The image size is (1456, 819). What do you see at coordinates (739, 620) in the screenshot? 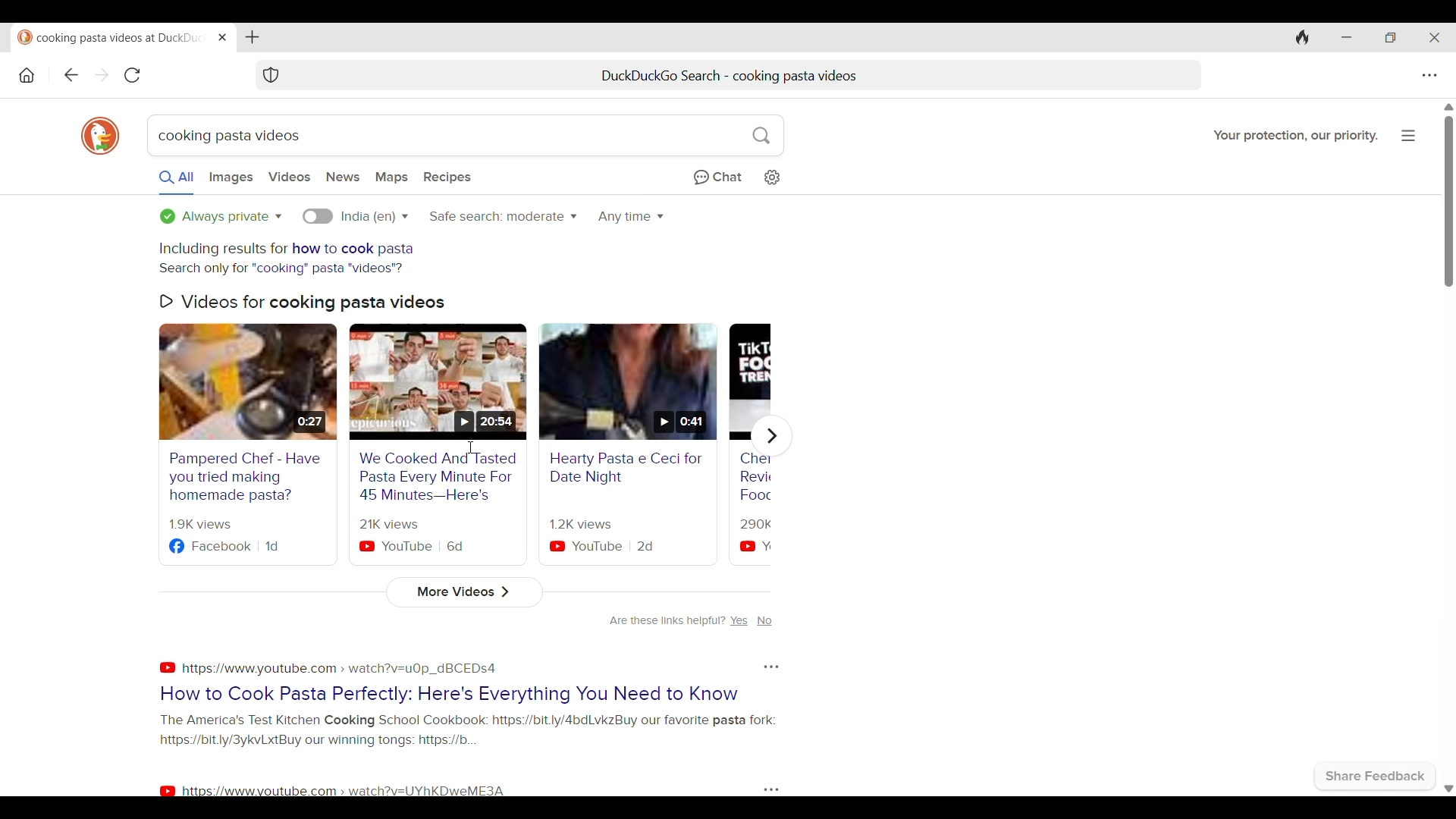
I see `yes` at bounding box center [739, 620].